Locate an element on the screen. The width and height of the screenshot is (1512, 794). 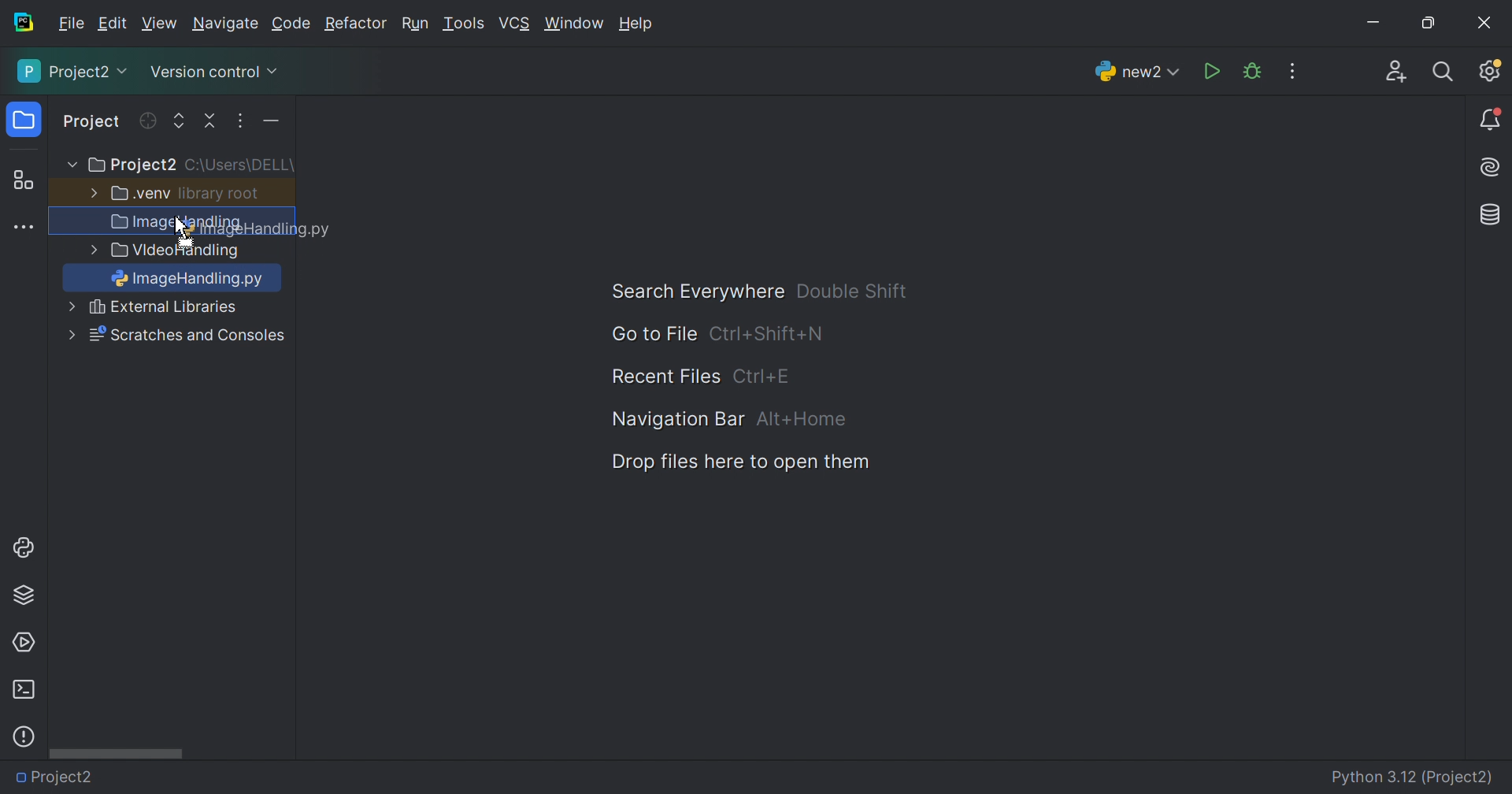
More Actions is located at coordinates (1292, 71).